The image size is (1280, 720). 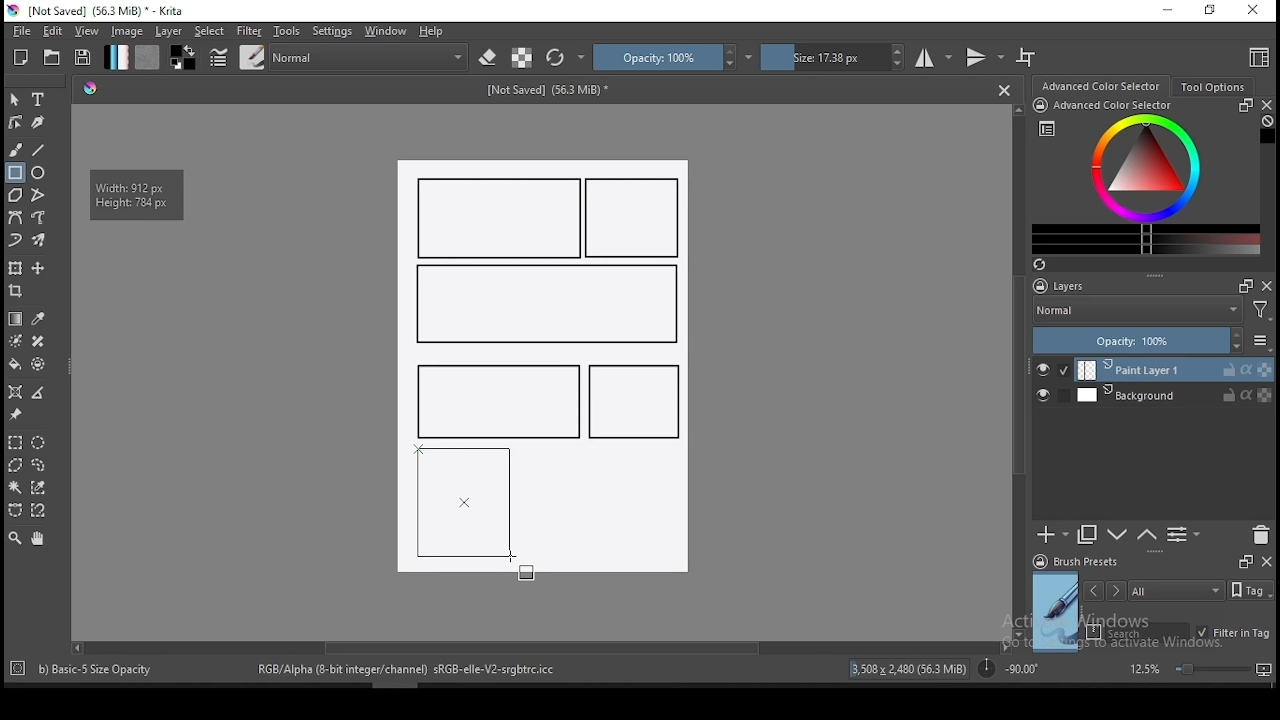 I want to click on crop tool, so click(x=18, y=293).